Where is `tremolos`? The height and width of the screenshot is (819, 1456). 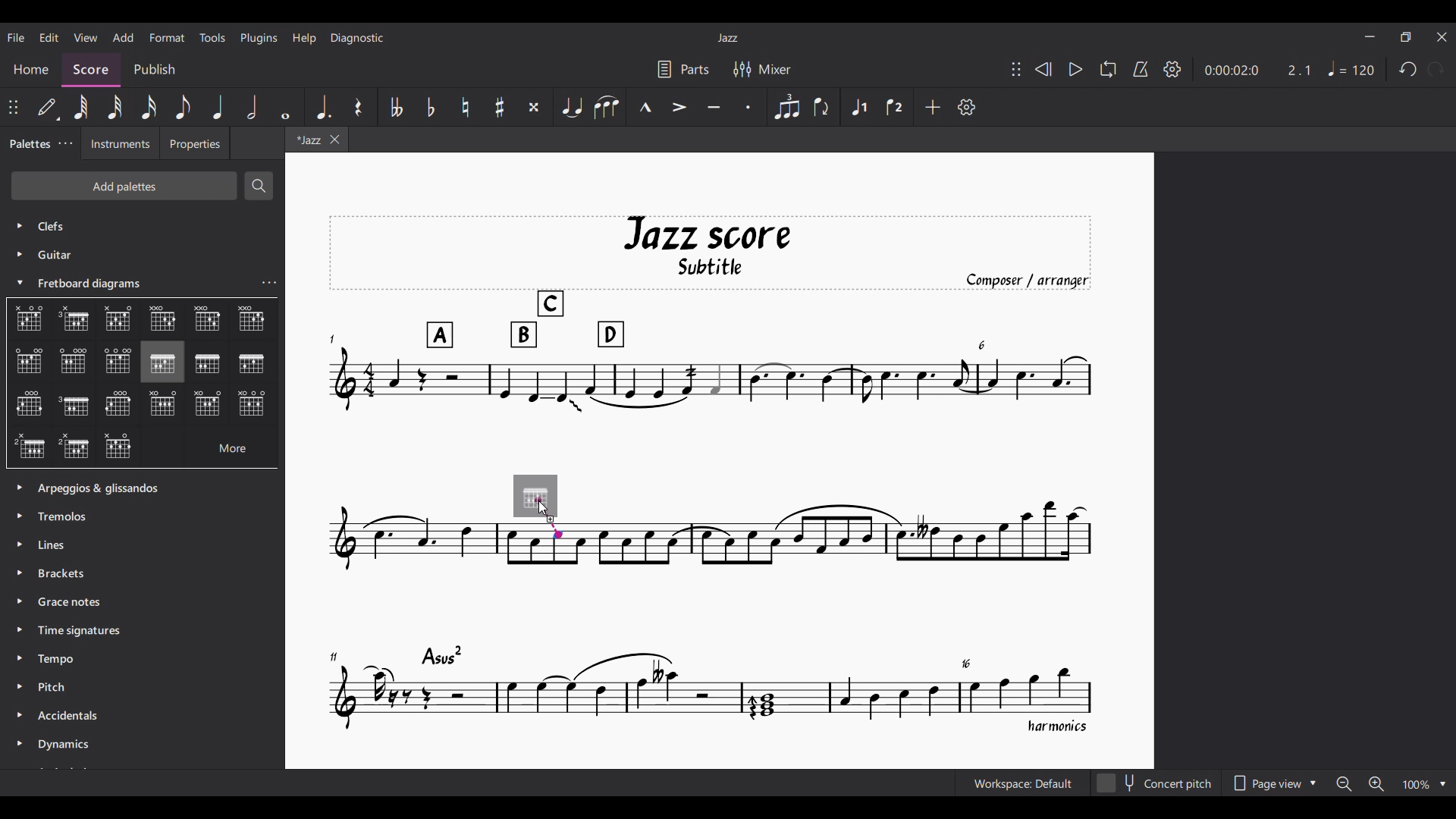 tremolos is located at coordinates (69, 515).